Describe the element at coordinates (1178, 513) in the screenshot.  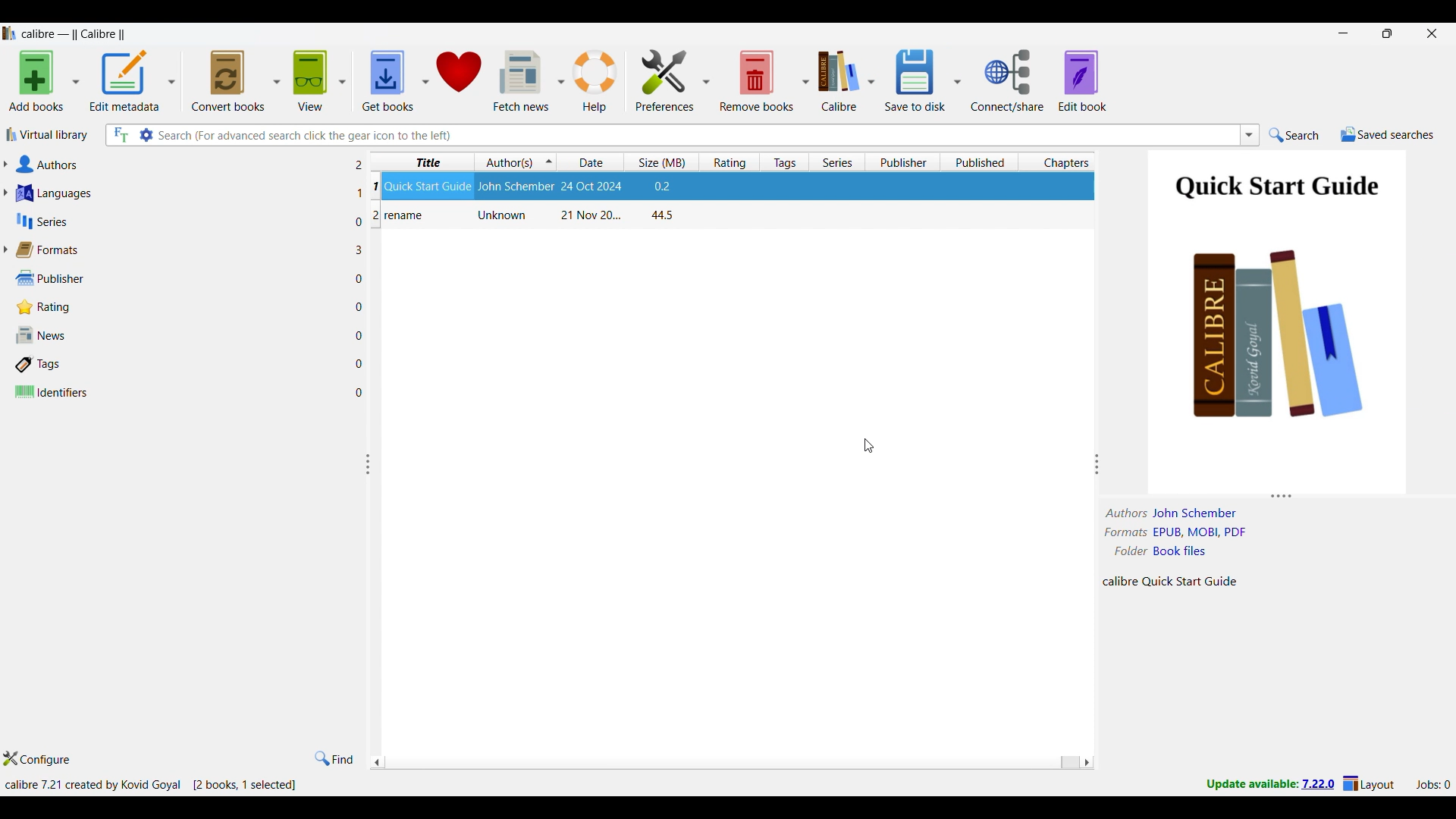
I see `Authors name` at that location.